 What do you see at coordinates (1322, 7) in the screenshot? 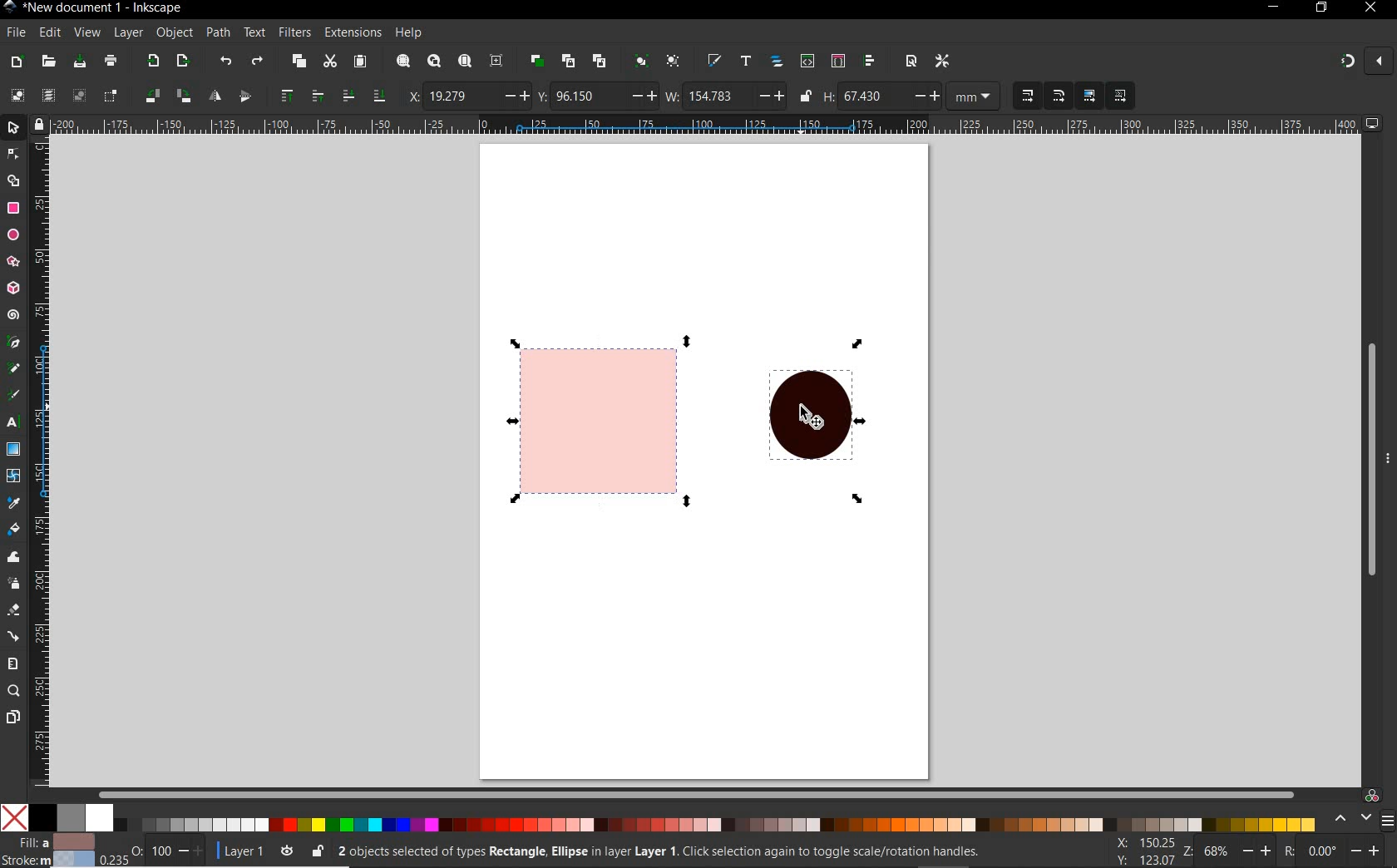
I see `restore` at bounding box center [1322, 7].